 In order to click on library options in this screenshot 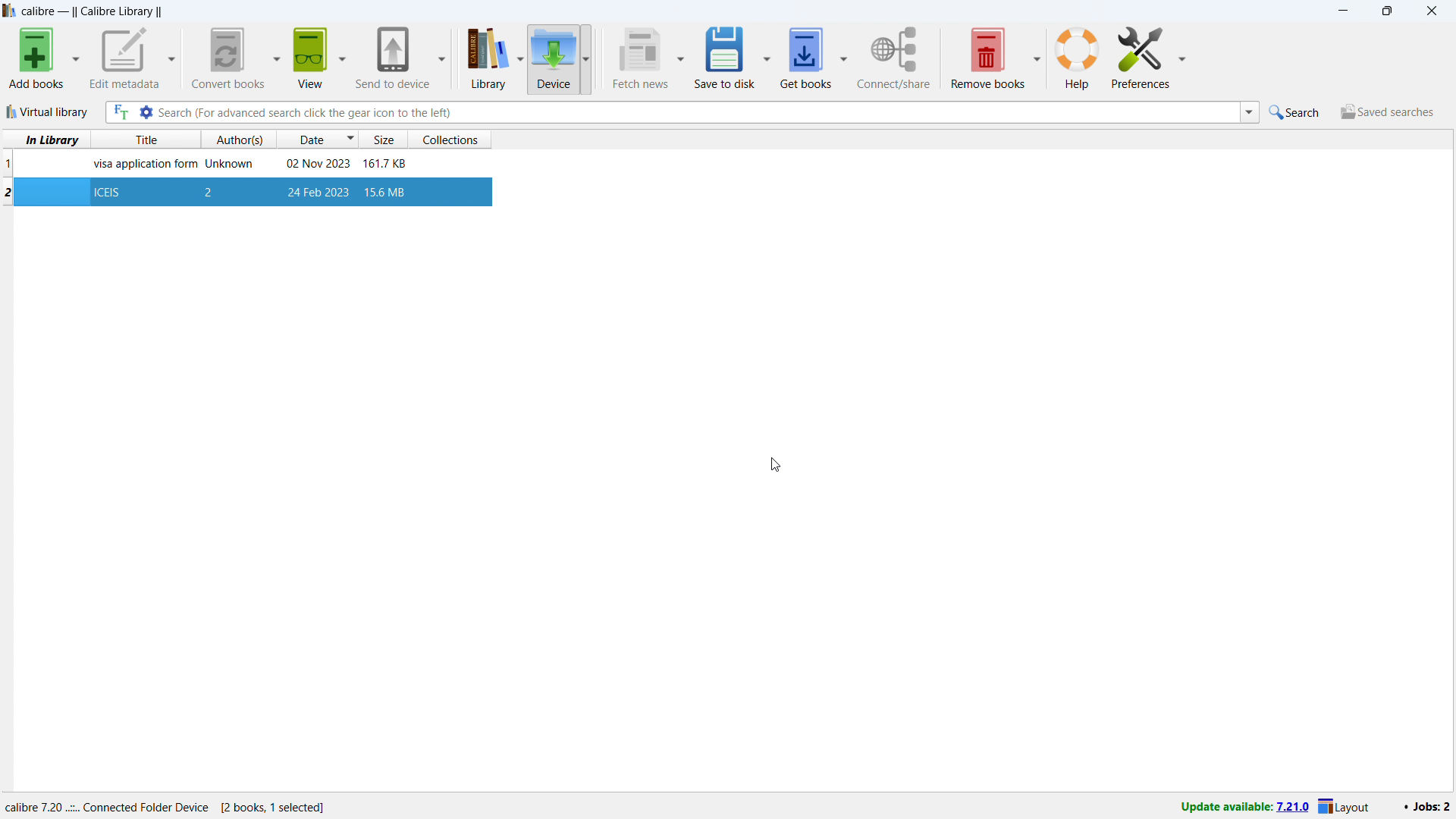, I will do `click(520, 60)`.